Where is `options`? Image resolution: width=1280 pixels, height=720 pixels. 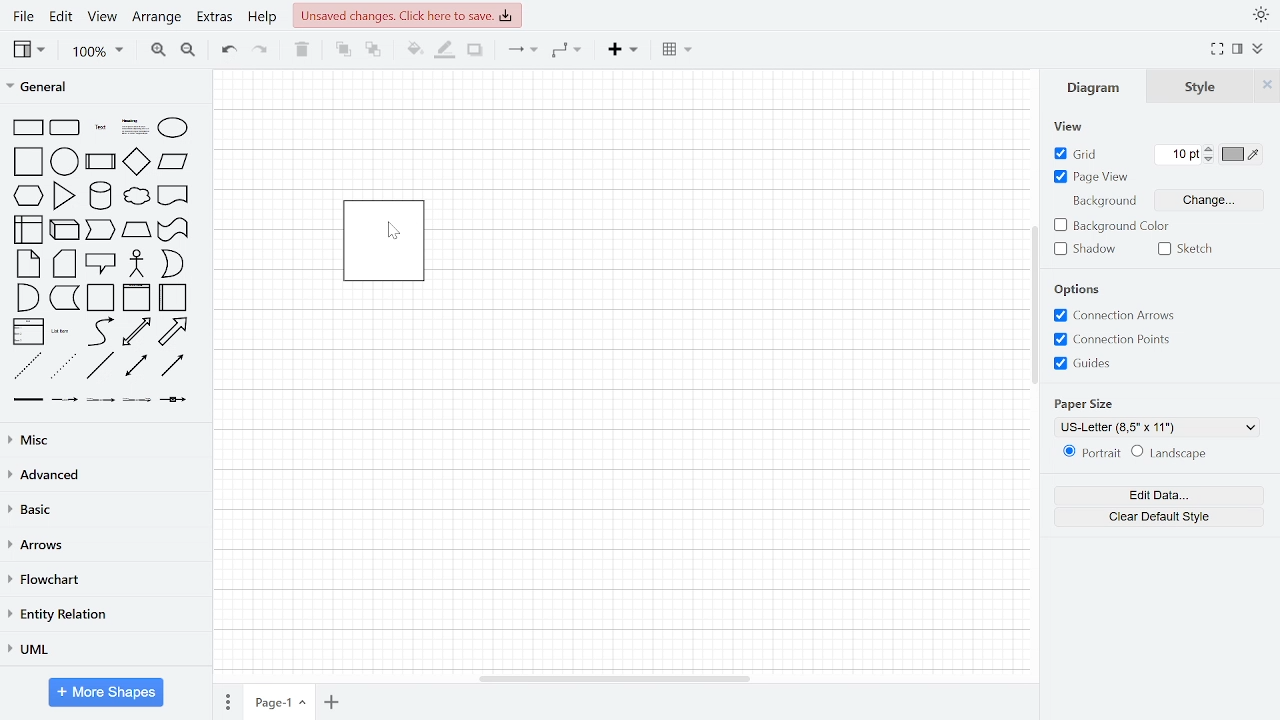 options is located at coordinates (1077, 288).